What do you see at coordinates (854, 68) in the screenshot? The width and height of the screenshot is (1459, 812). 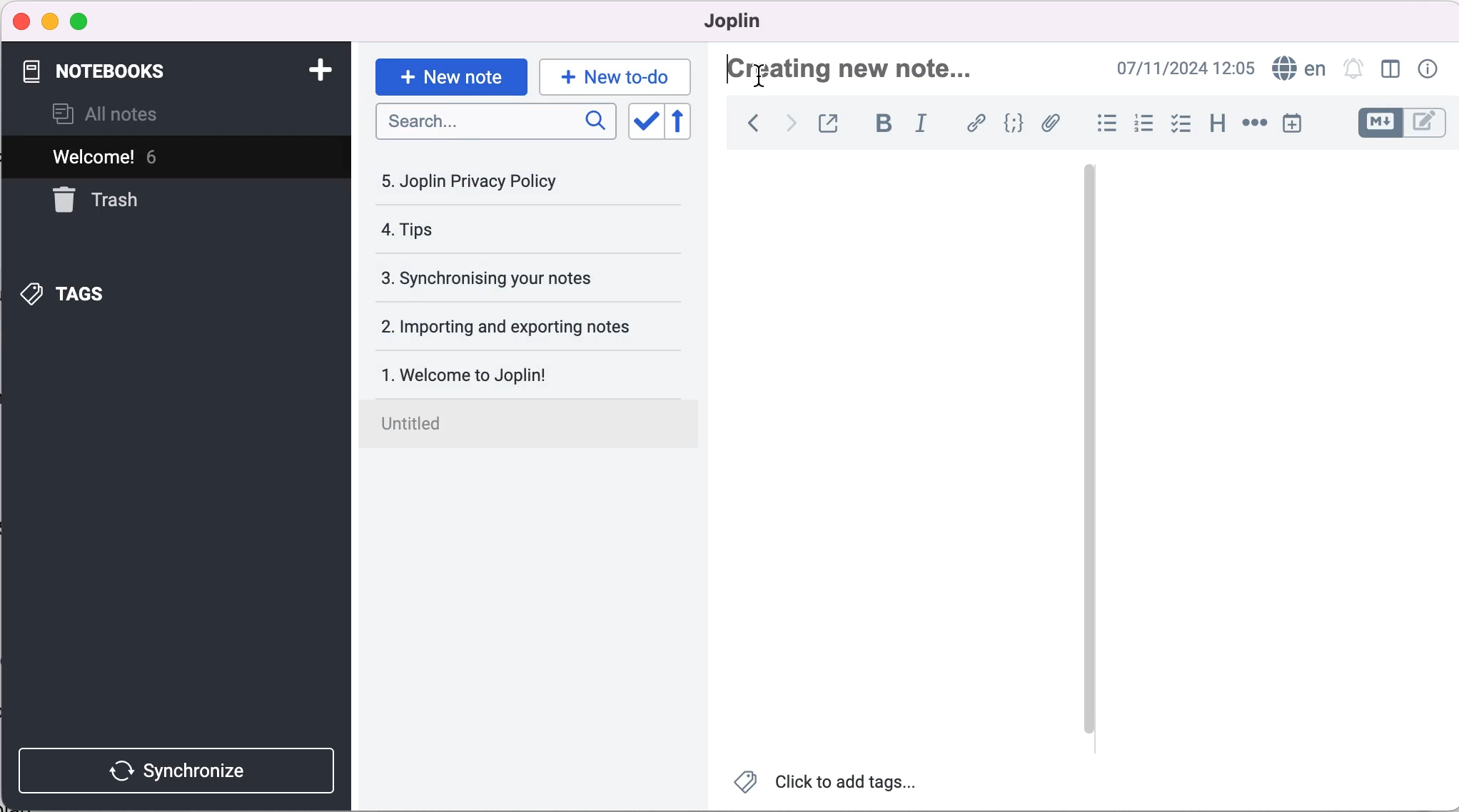 I see `creating new note` at bounding box center [854, 68].